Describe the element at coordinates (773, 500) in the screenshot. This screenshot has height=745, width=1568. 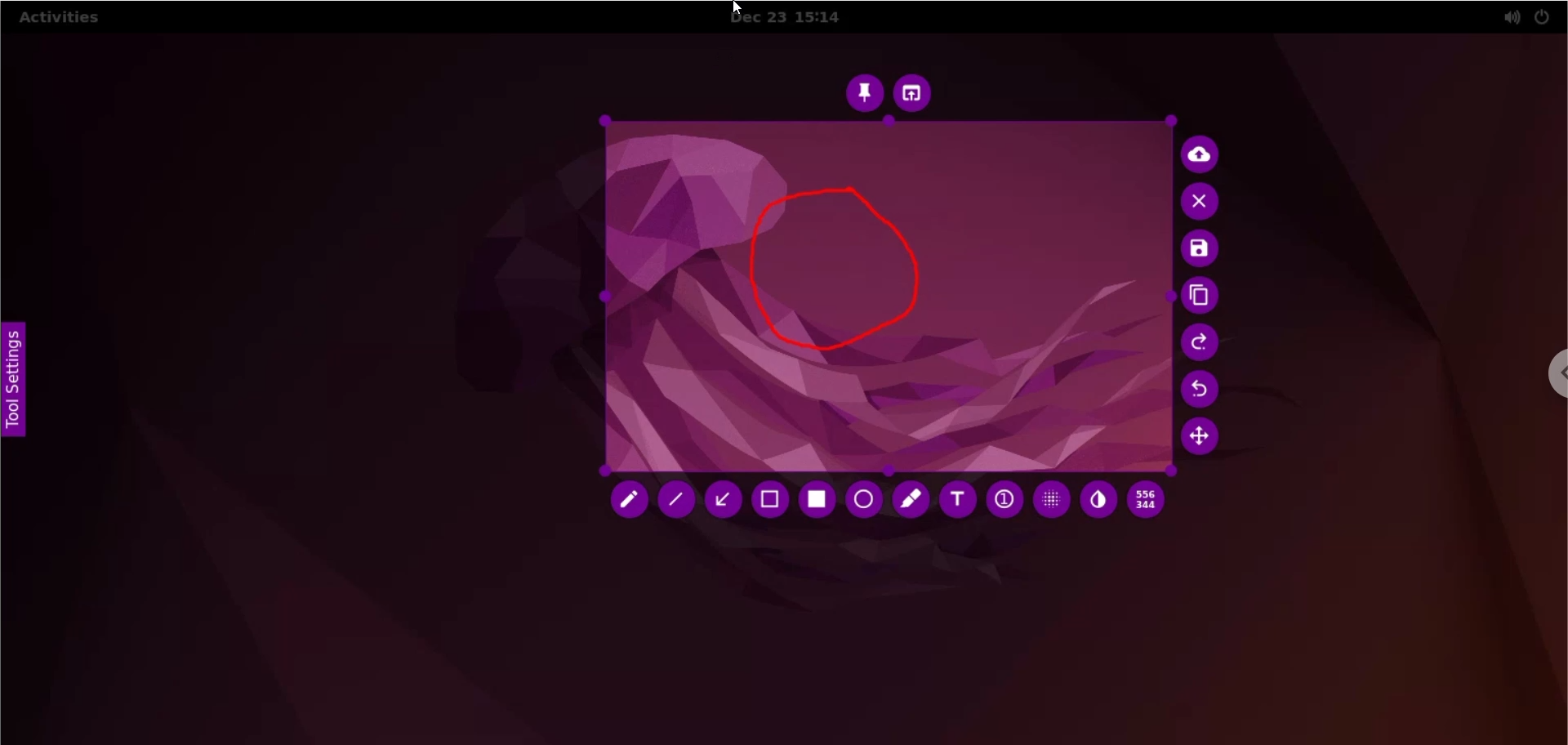
I see `selection` at that location.